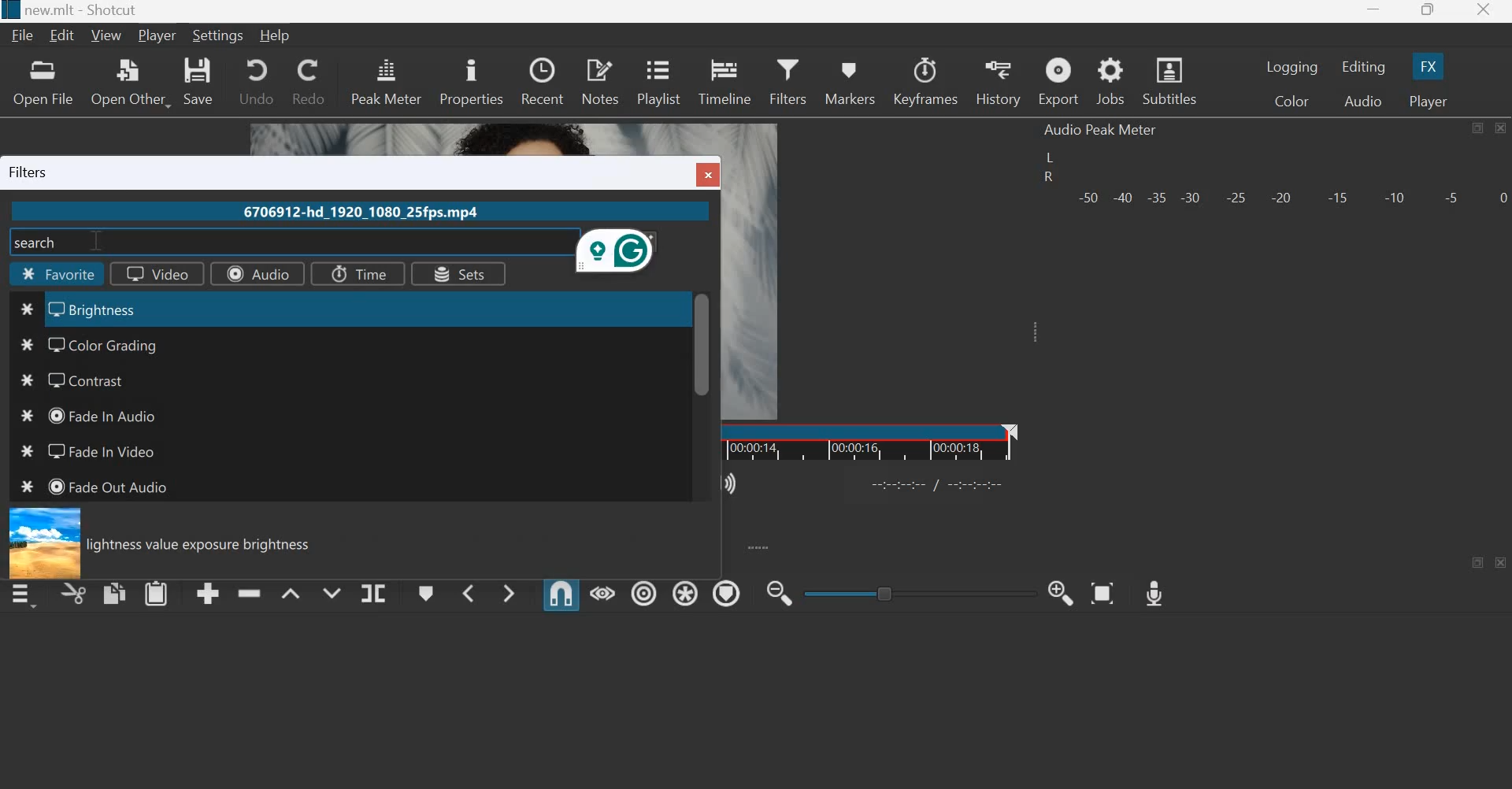 This screenshot has height=789, width=1512. Describe the element at coordinates (9, 10) in the screenshot. I see `` at that location.